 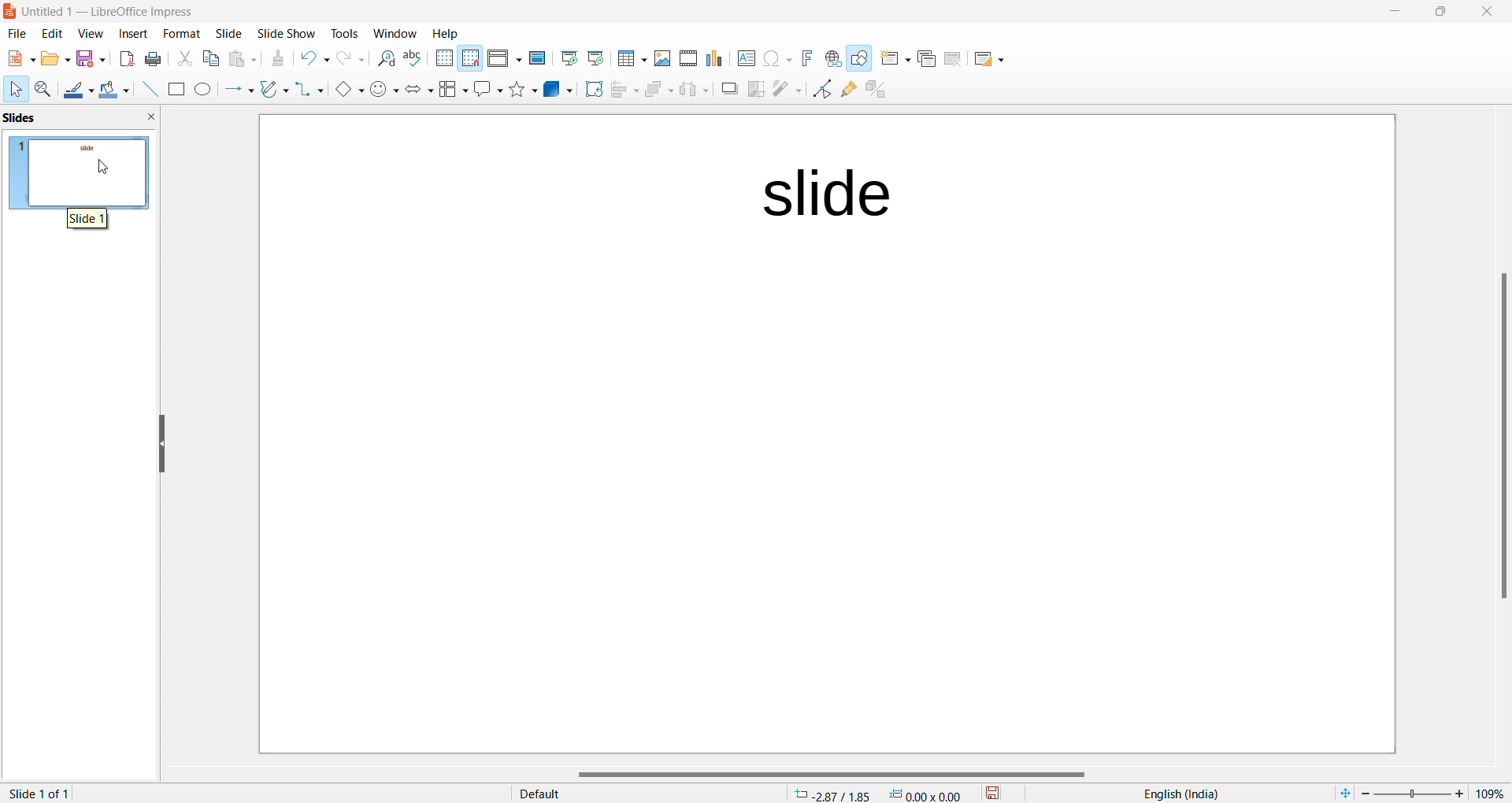 I want to click on Show draw function, so click(x=859, y=60).